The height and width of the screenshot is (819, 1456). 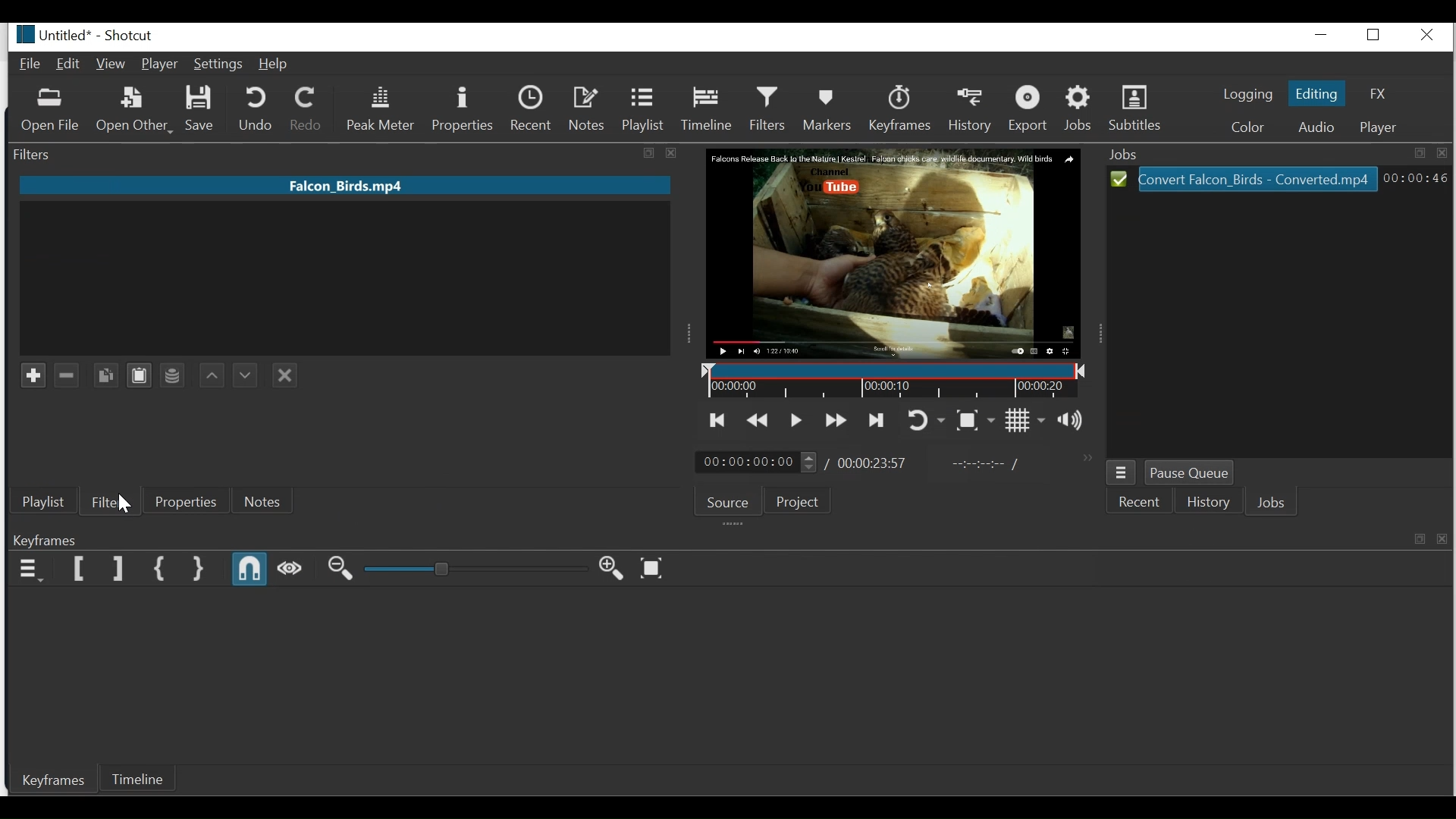 I want to click on File, so click(x=33, y=65).